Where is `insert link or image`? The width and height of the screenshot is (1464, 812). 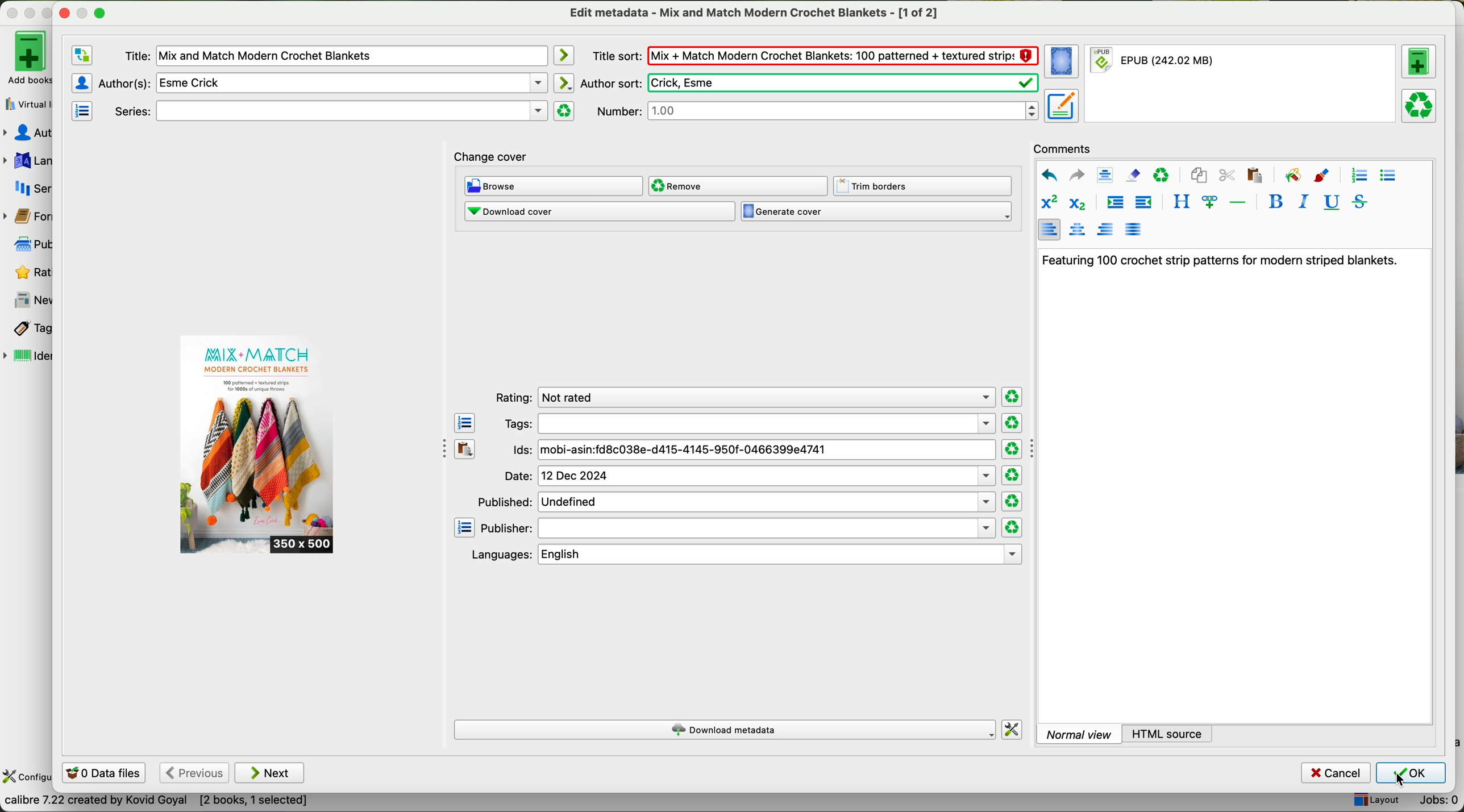
insert link or image is located at coordinates (1209, 202).